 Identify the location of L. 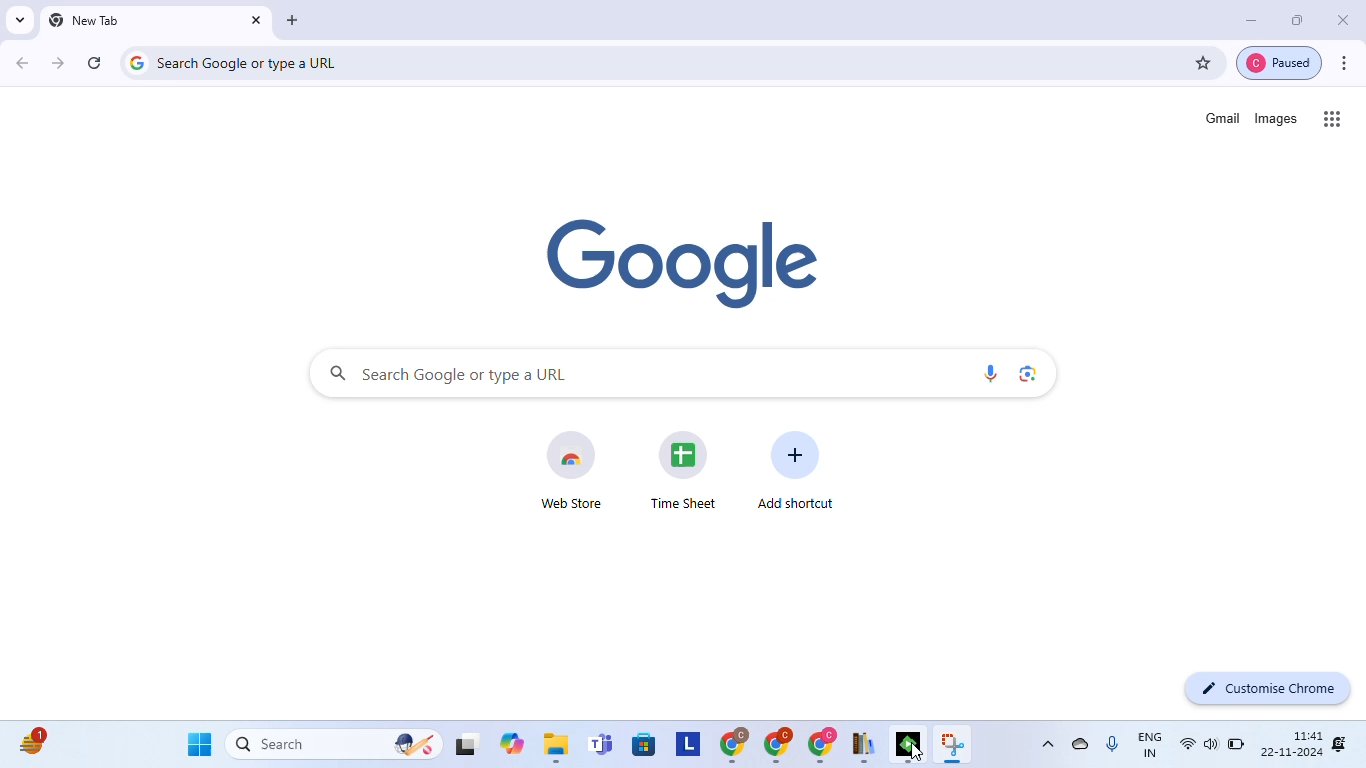
(688, 743).